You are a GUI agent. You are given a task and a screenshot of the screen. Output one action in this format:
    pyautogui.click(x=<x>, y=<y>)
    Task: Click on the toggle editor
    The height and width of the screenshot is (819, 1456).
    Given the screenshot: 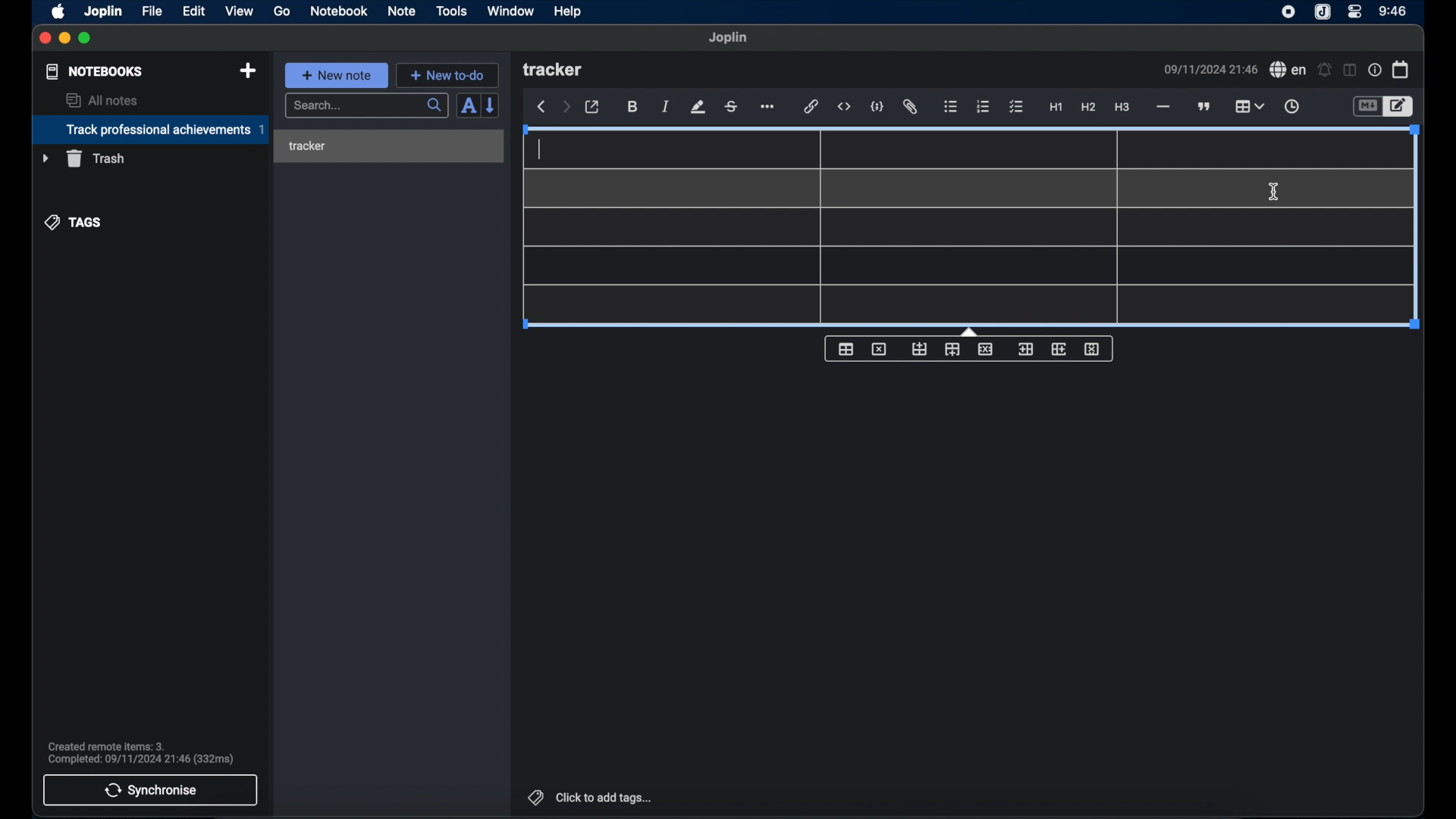 What is the action you would take?
    pyautogui.click(x=1399, y=106)
    